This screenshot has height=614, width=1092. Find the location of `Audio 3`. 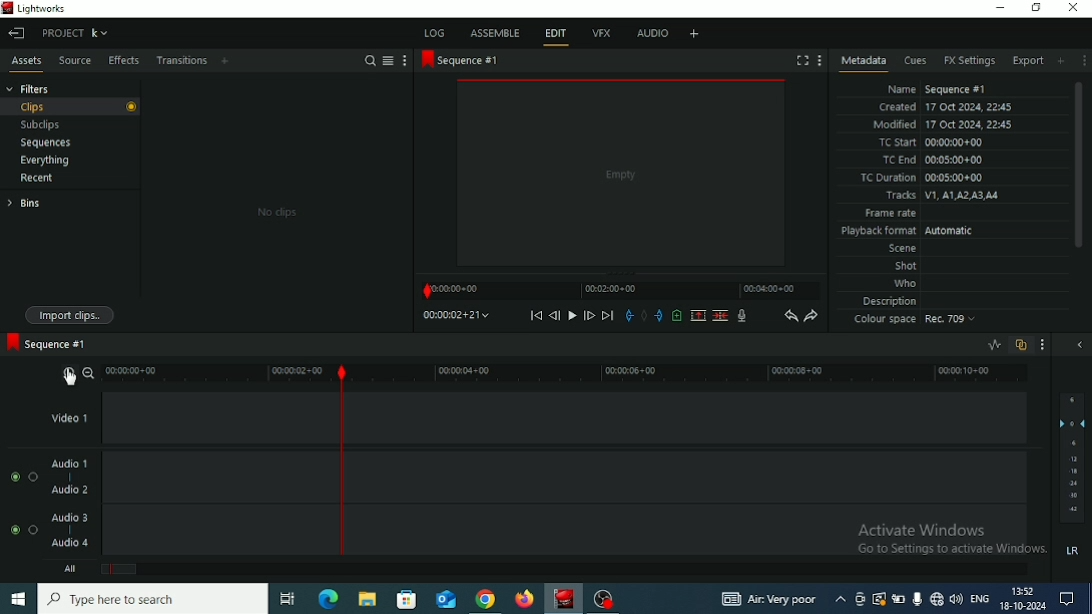

Audio 3 is located at coordinates (71, 516).